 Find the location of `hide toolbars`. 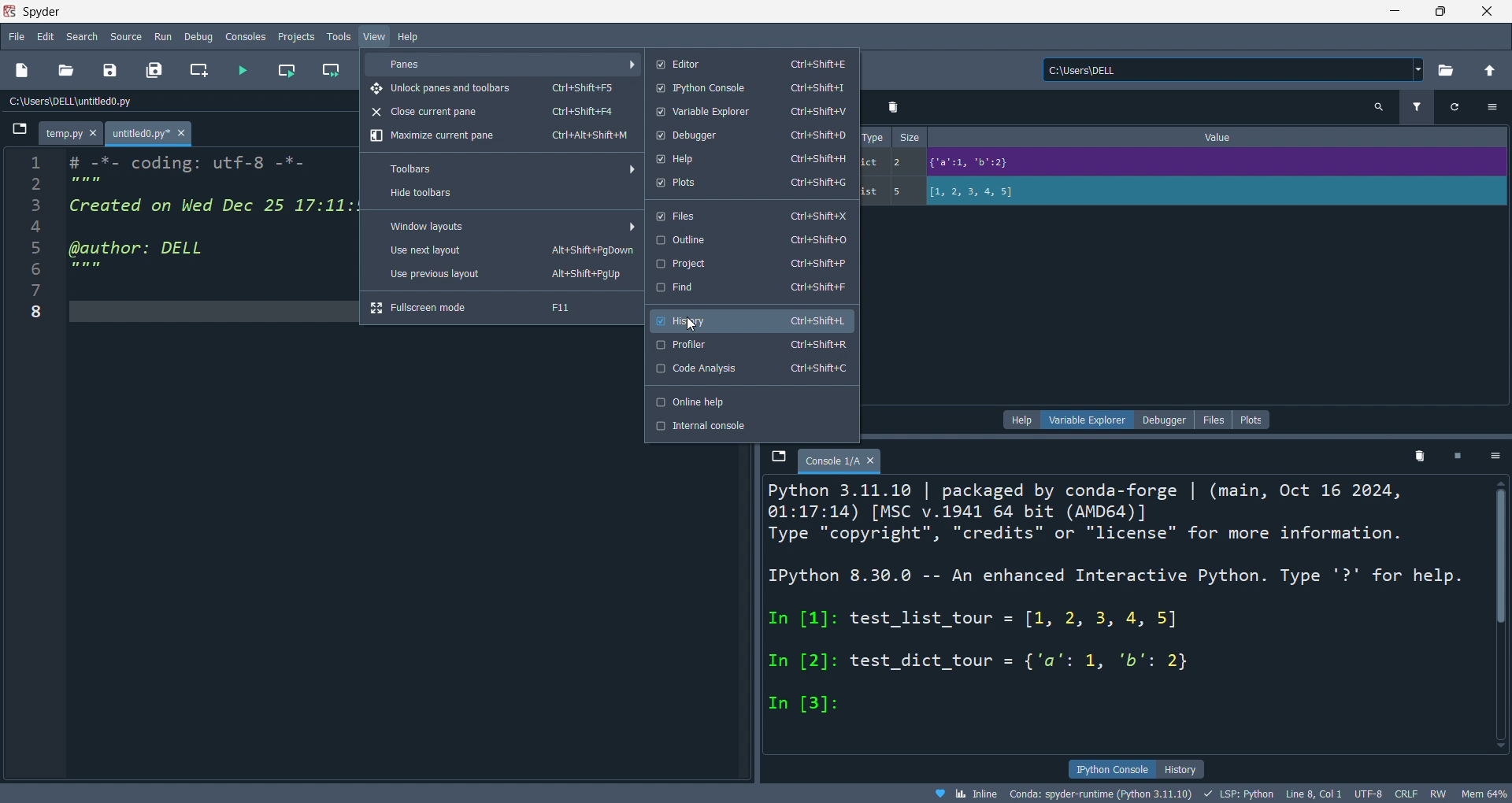

hide toolbars is located at coordinates (502, 195).